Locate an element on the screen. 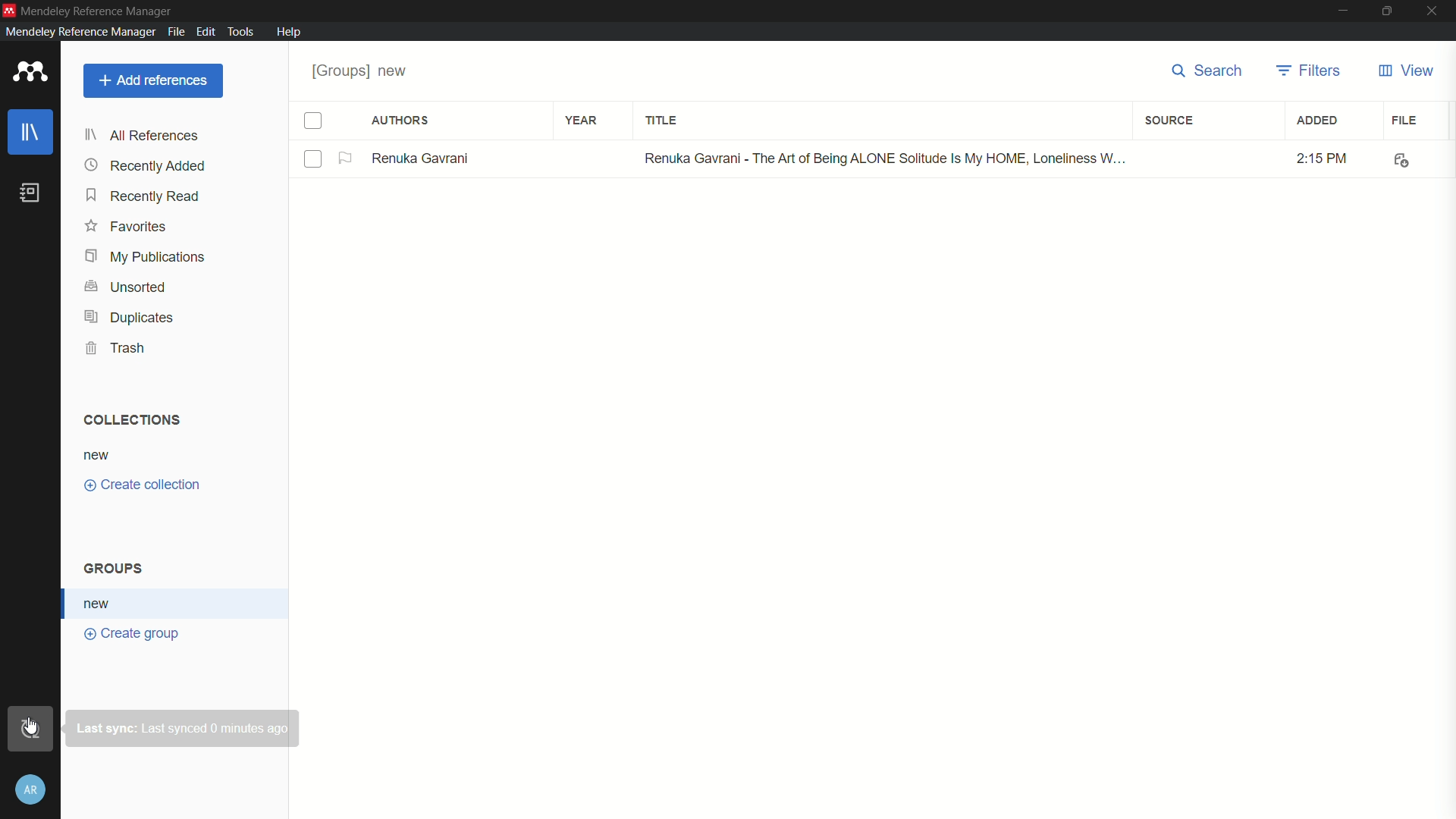 Image resolution: width=1456 pixels, height=819 pixels. Checkbox is located at coordinates (311, 158).